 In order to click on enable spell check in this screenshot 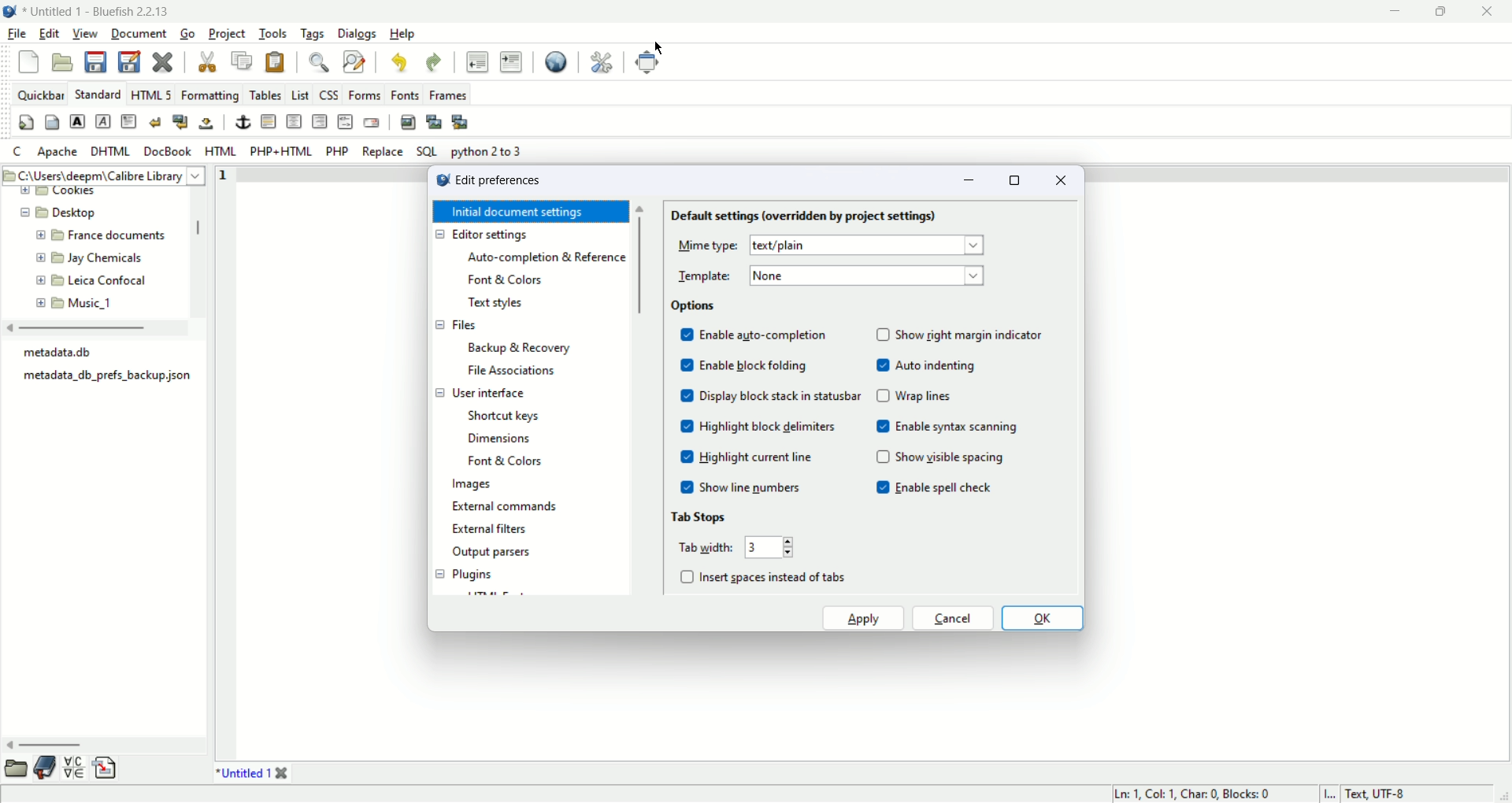, I will do `click(950, 489)`.